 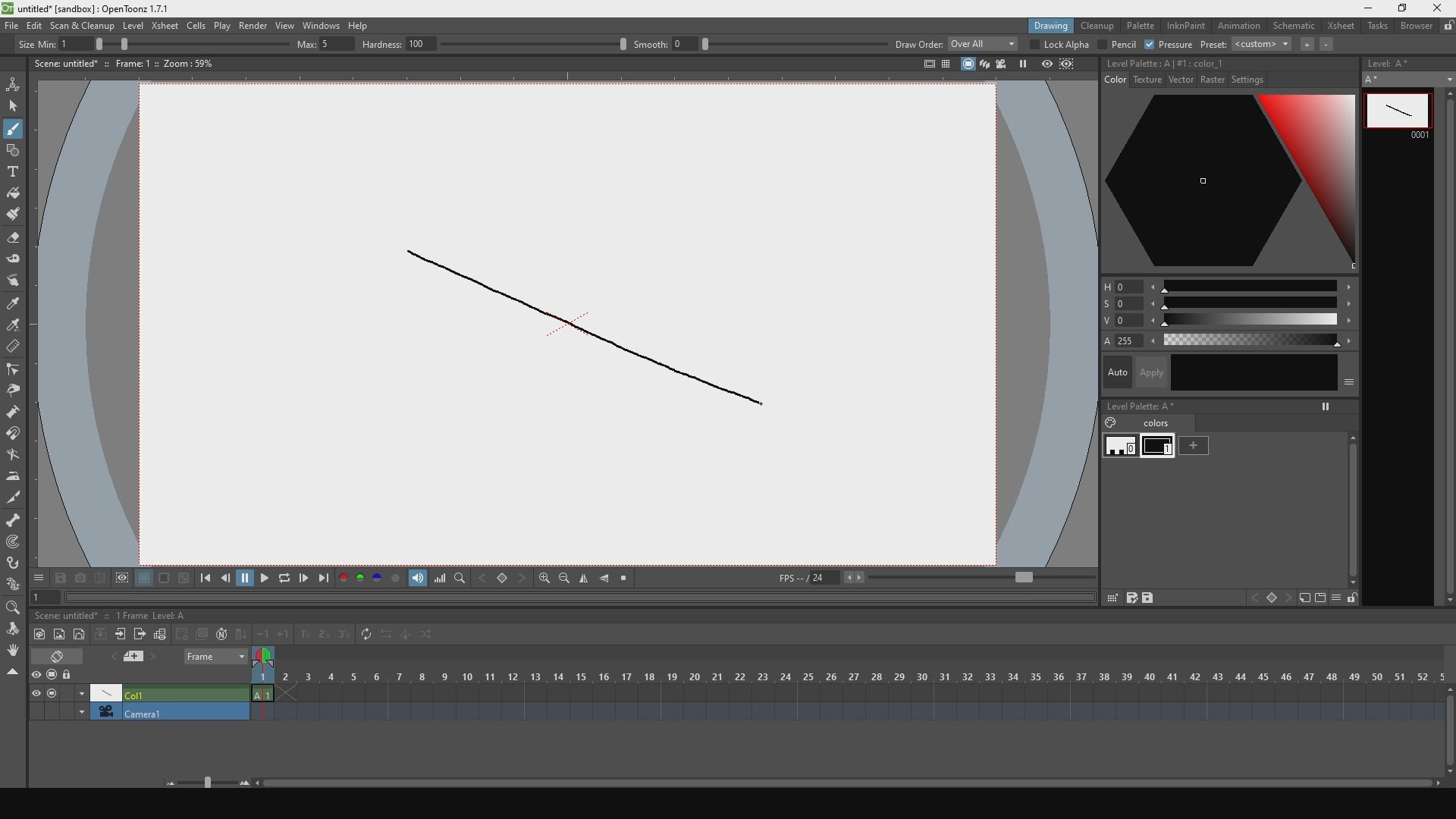 I want to click on skip to the next point, so click(x=326, y=579).